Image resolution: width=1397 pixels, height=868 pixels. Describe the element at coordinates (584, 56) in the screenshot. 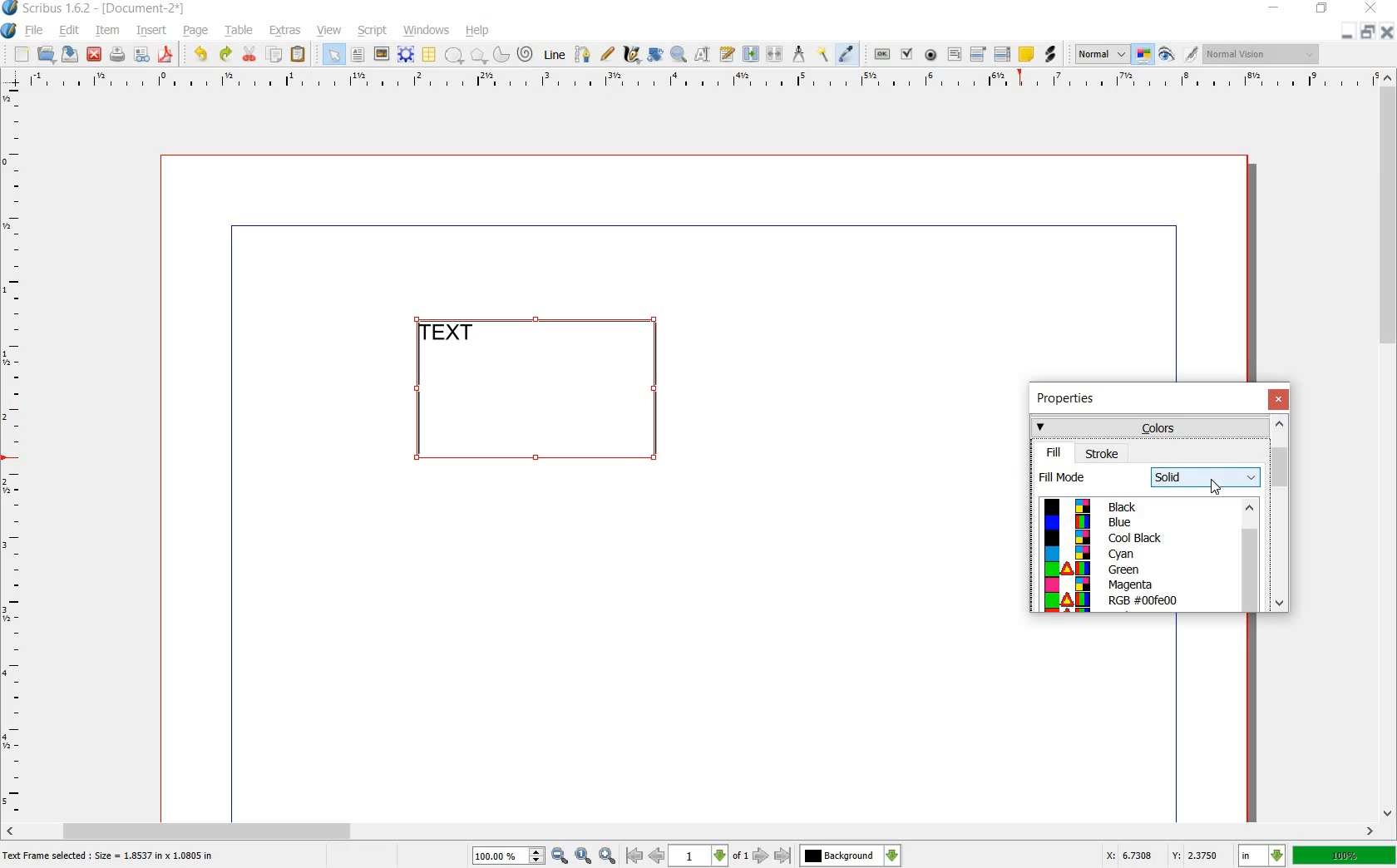

I see `bezier curve` at that location.